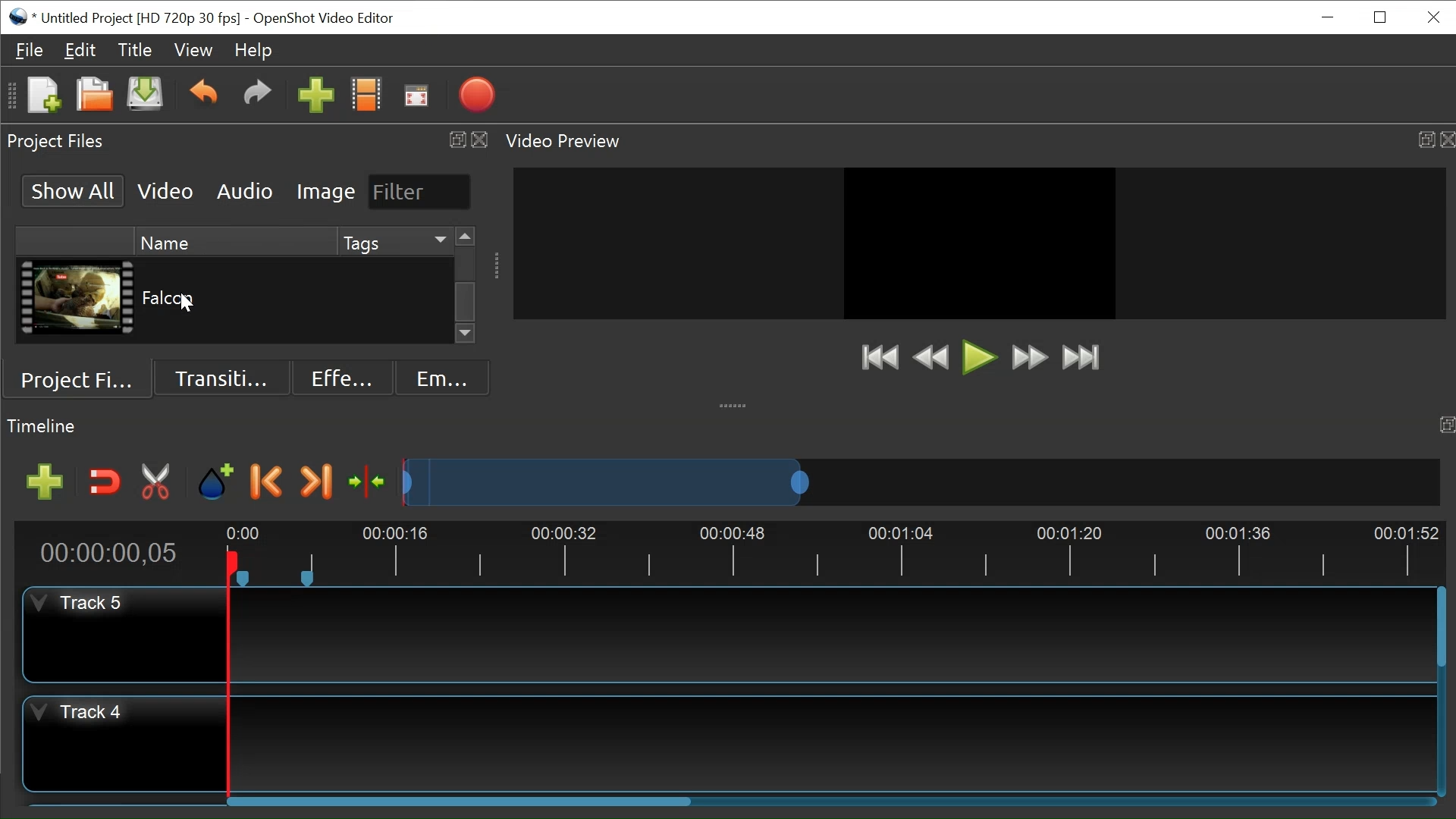 The width and height of the screenshot is (1456, 819). Describe the element at coordinates (462, 804) in the screenshot. I see `Horizontal Scroll bar` at that location.